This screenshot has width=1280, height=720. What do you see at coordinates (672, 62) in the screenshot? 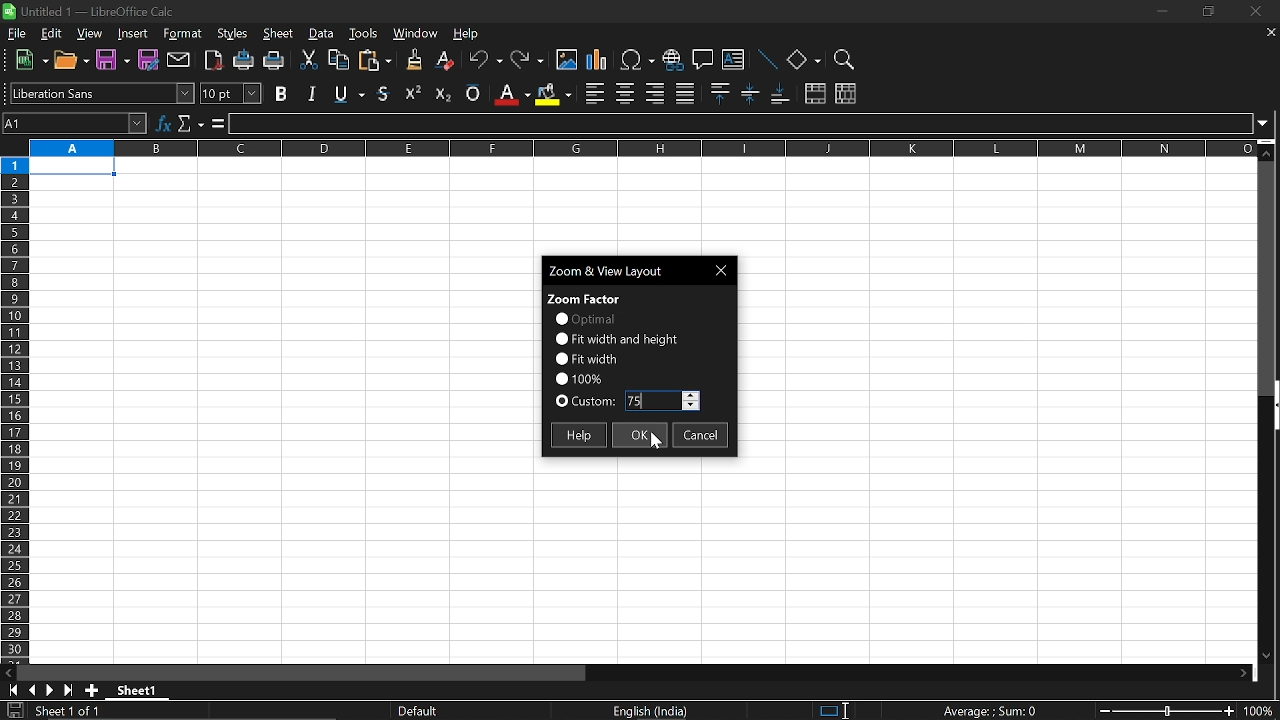
I see `insert hyperlink` at bounding box center [672, 62].